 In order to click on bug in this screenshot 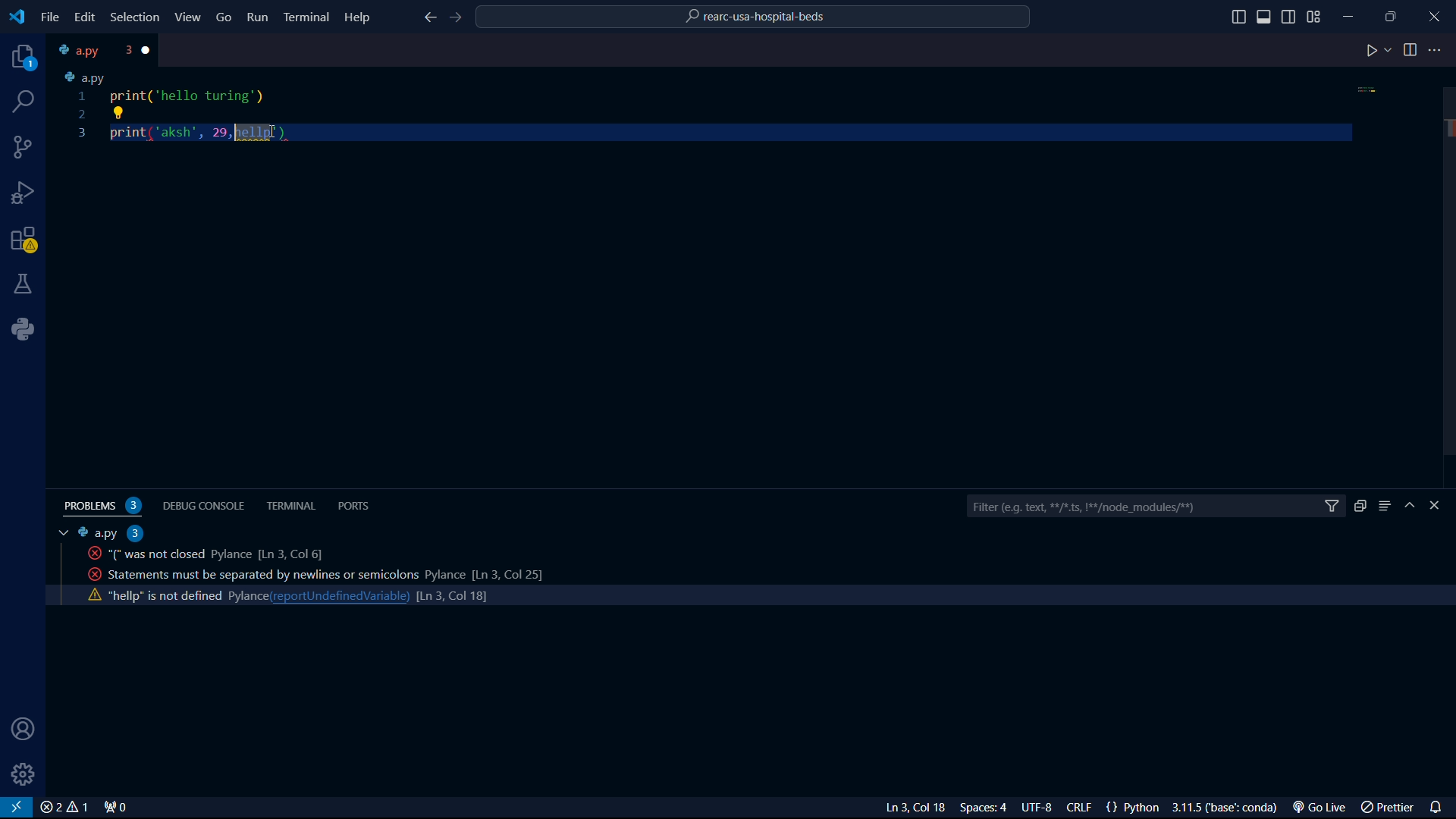, I will do `click(27, 190)`.